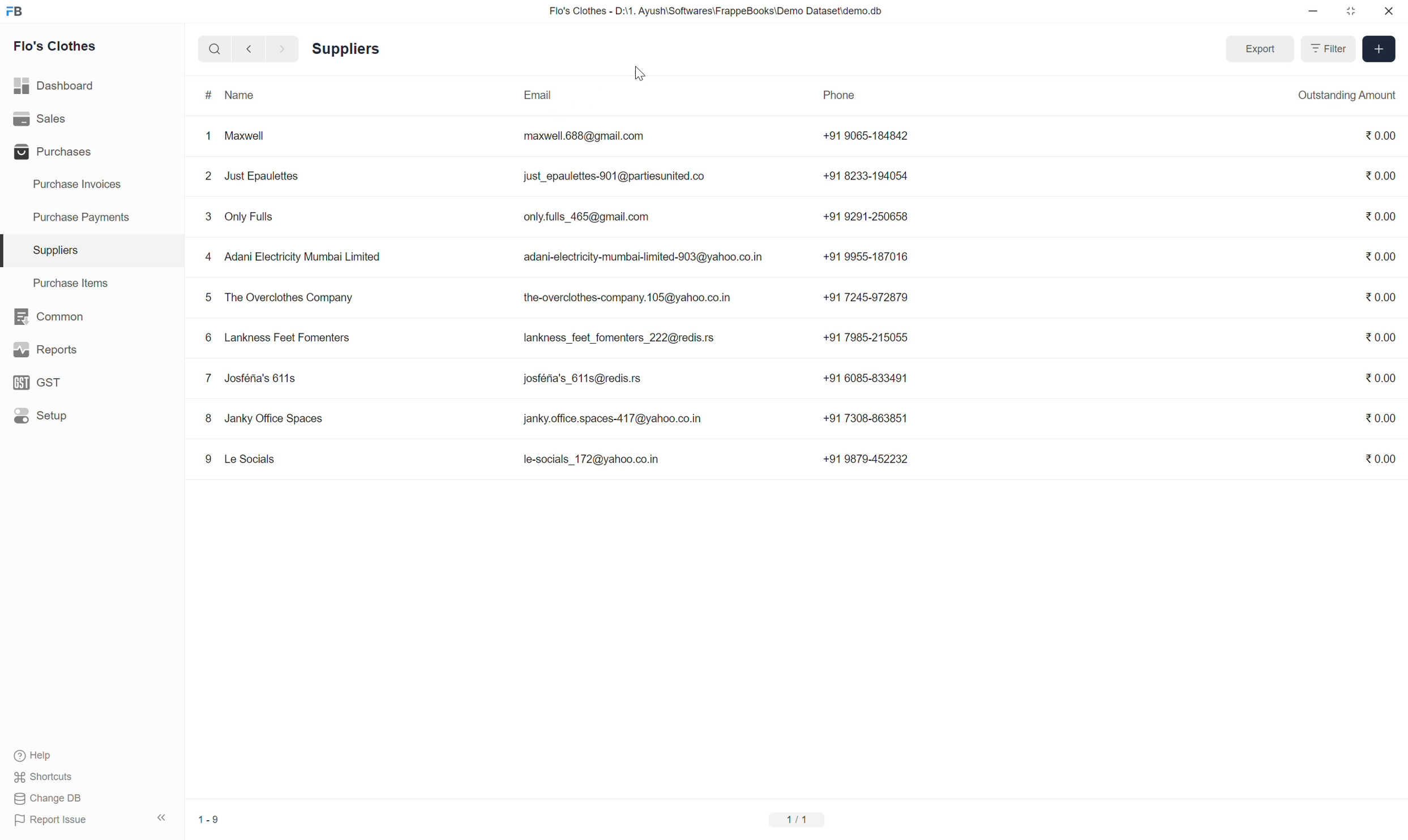  What do you see at coordinates (206, 458) in the screenshot?
I see `9` at bounding box center [206, 458].